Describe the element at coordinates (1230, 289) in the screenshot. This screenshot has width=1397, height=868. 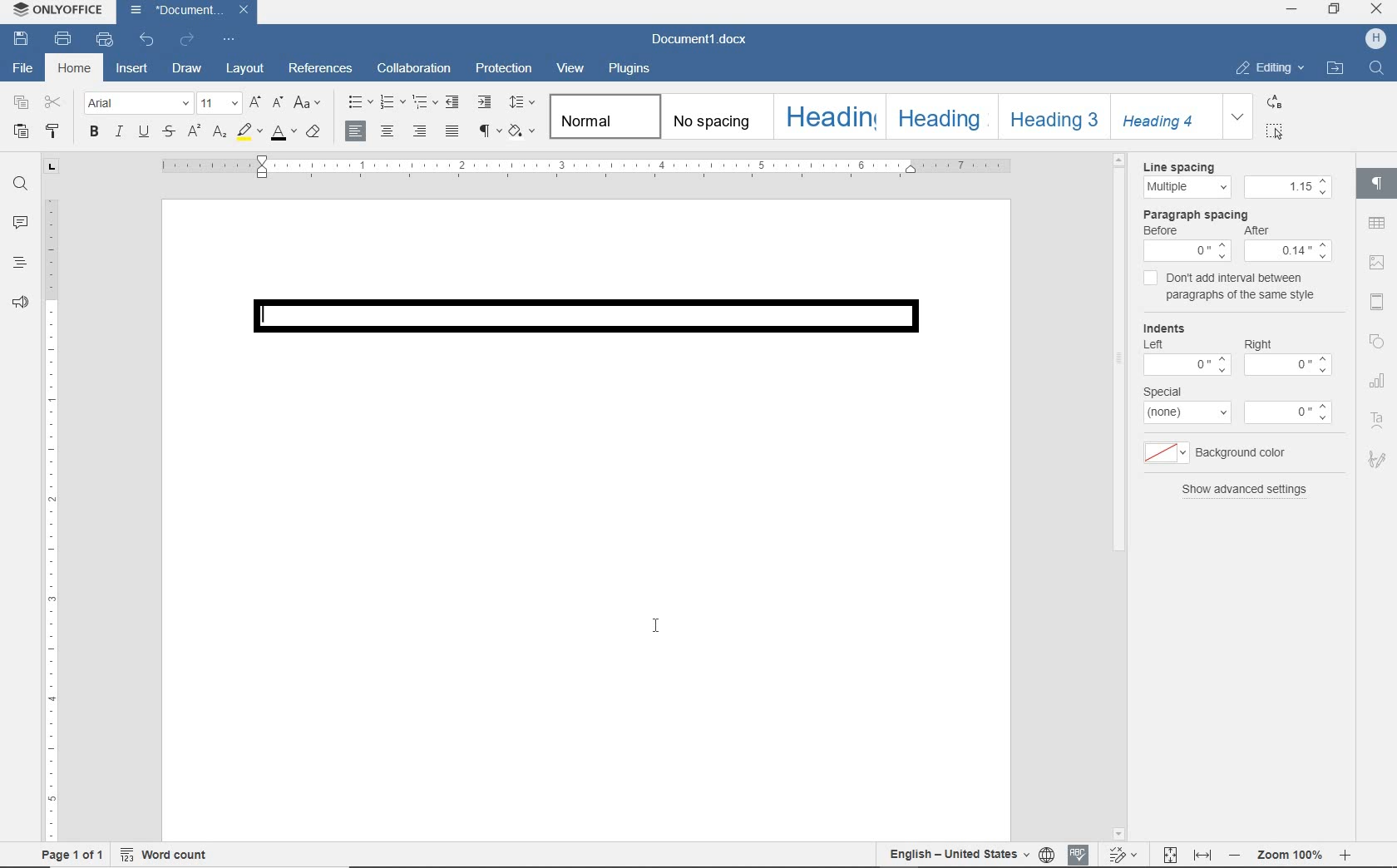
I see `don't add interval between paragraphs of the same style` at that location.